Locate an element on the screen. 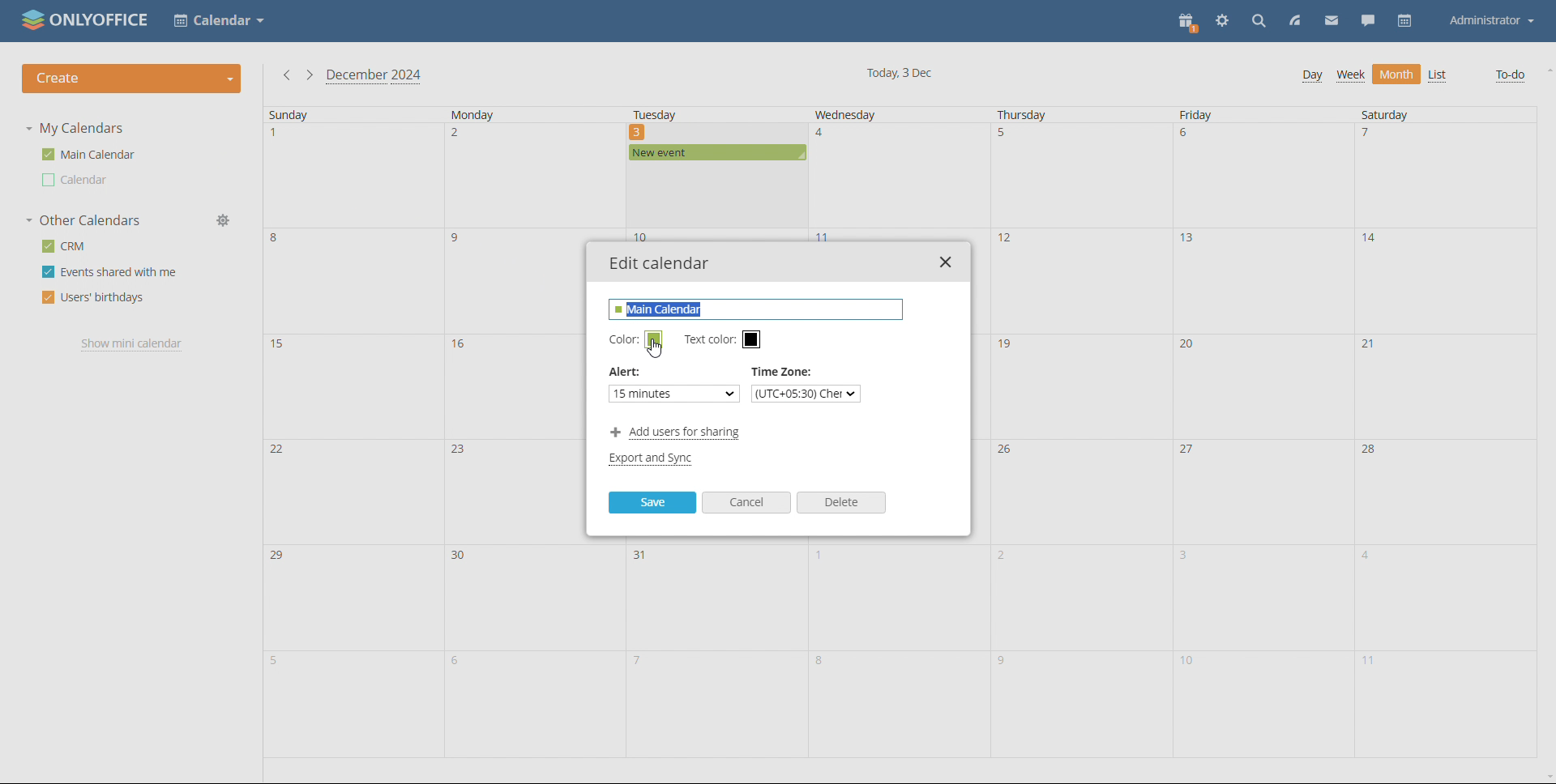 The width and height of the screenshot is (1556, 784). date is located at coordinates (353, 283).